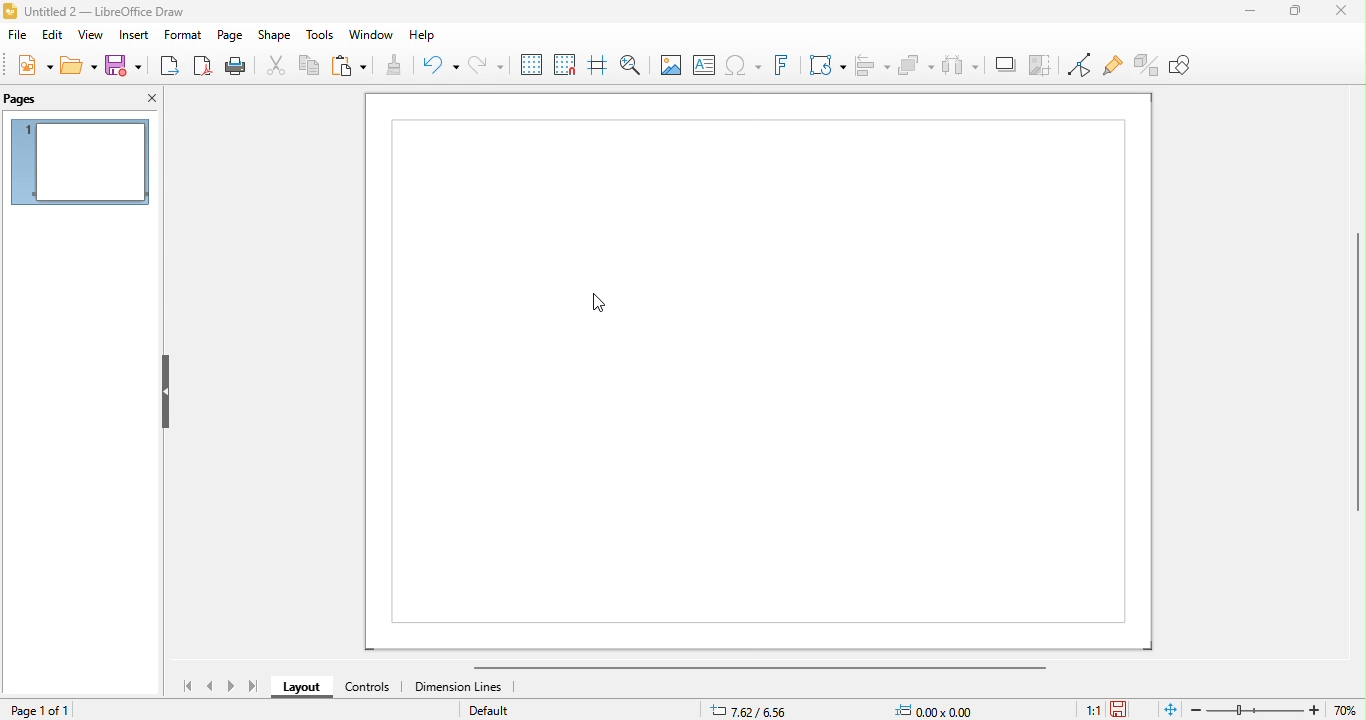 The image size is (1366, 720). What do you see at coordinates (940, 708) in the screenshot?
I see `0.00x0.00` at bounding box center [940, 708].